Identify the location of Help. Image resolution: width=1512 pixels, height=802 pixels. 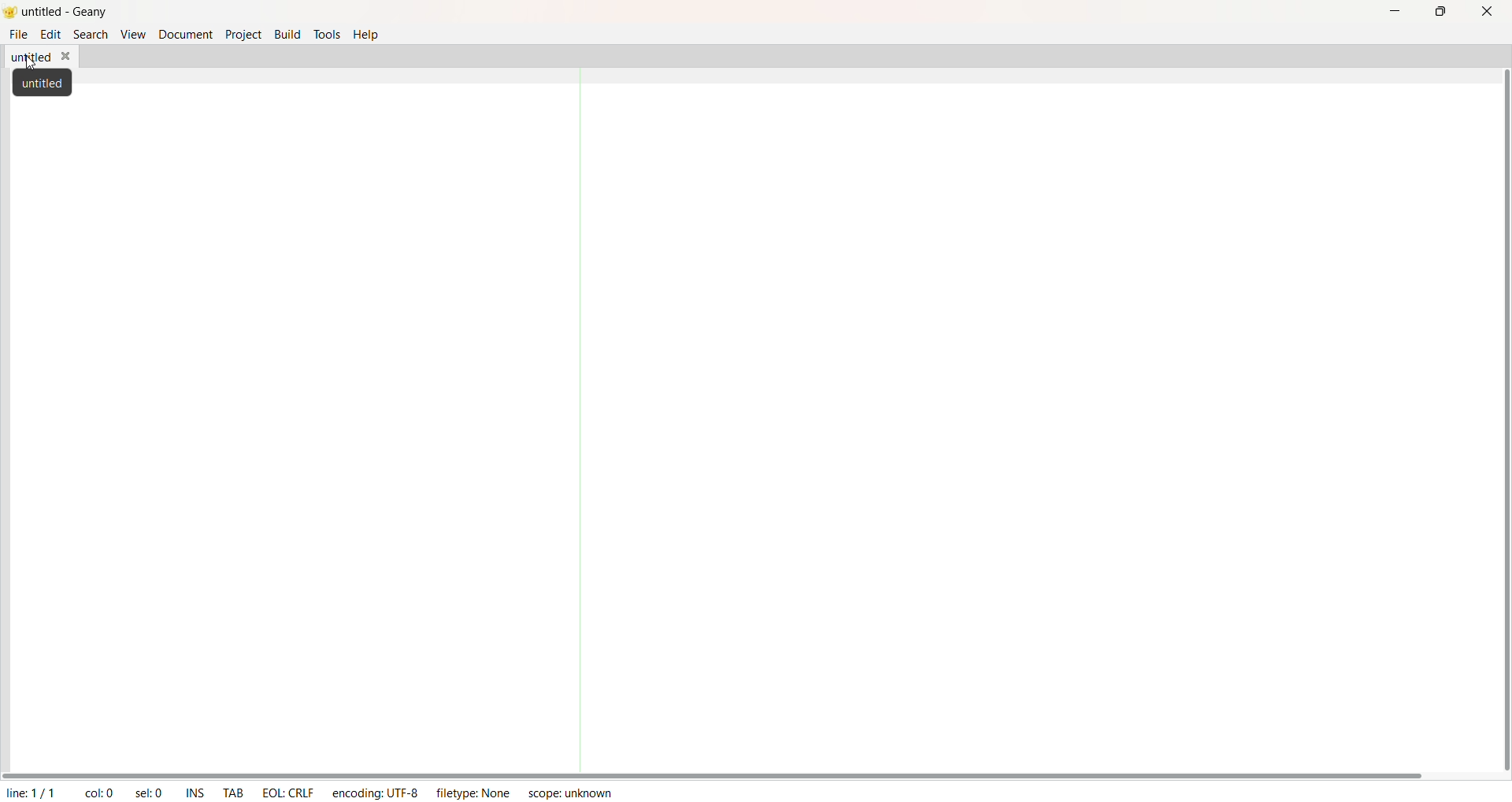
(368, 36).